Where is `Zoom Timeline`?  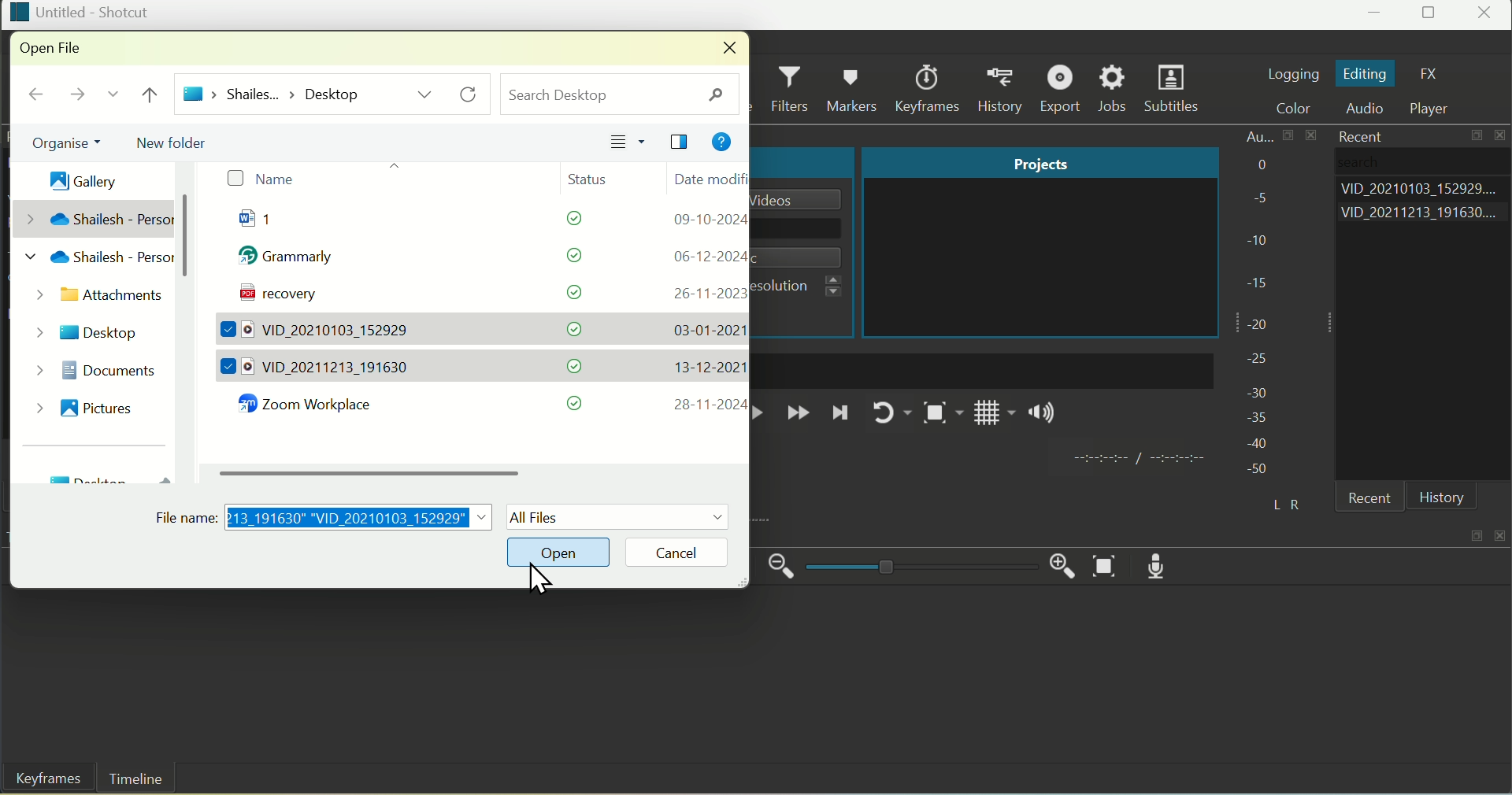 Zoom Timeline is located at coordinates (1106, 567).